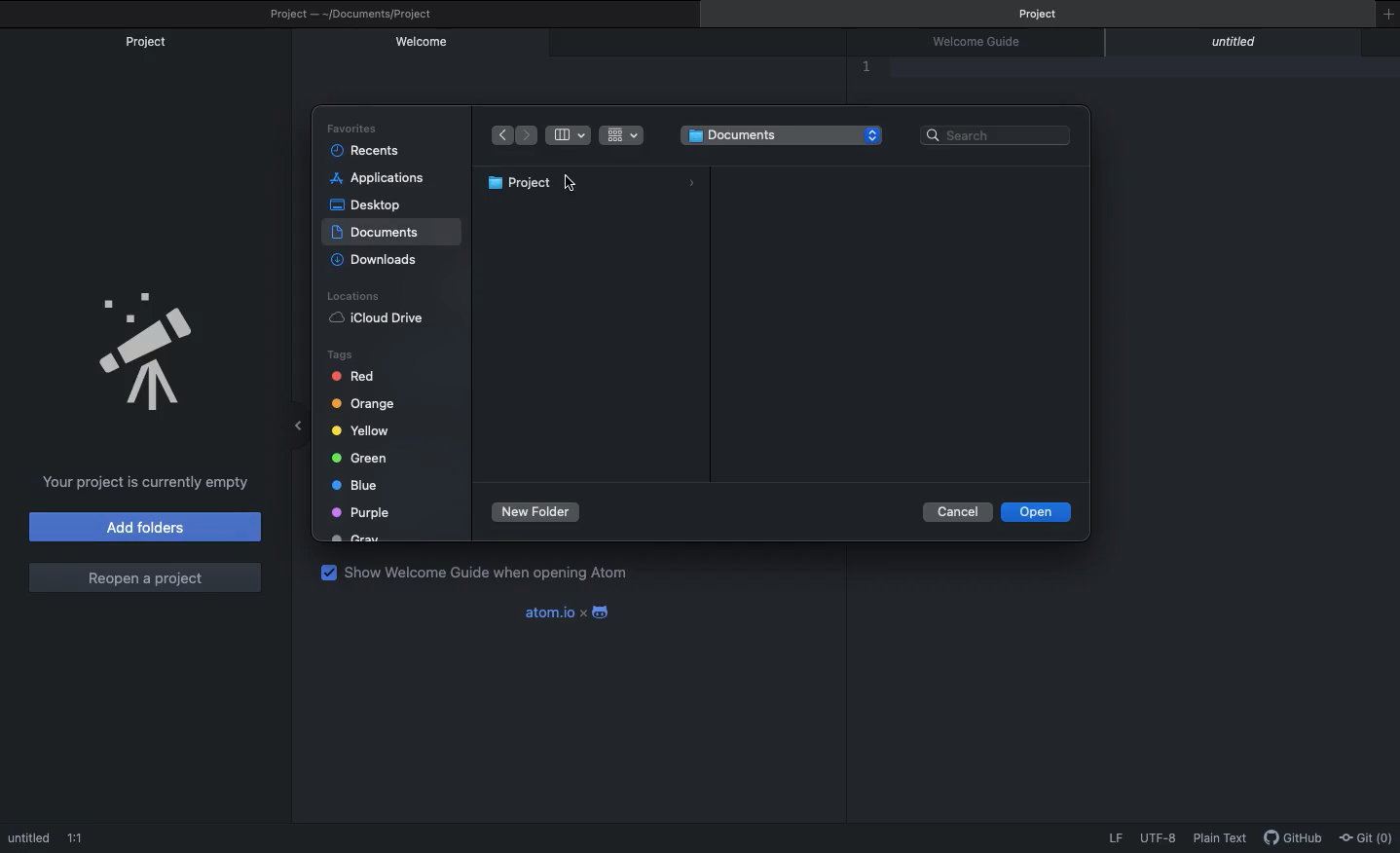 The height and width of the screenshot is (853, 1400). I want to click on Downloads, so click(380, 260).